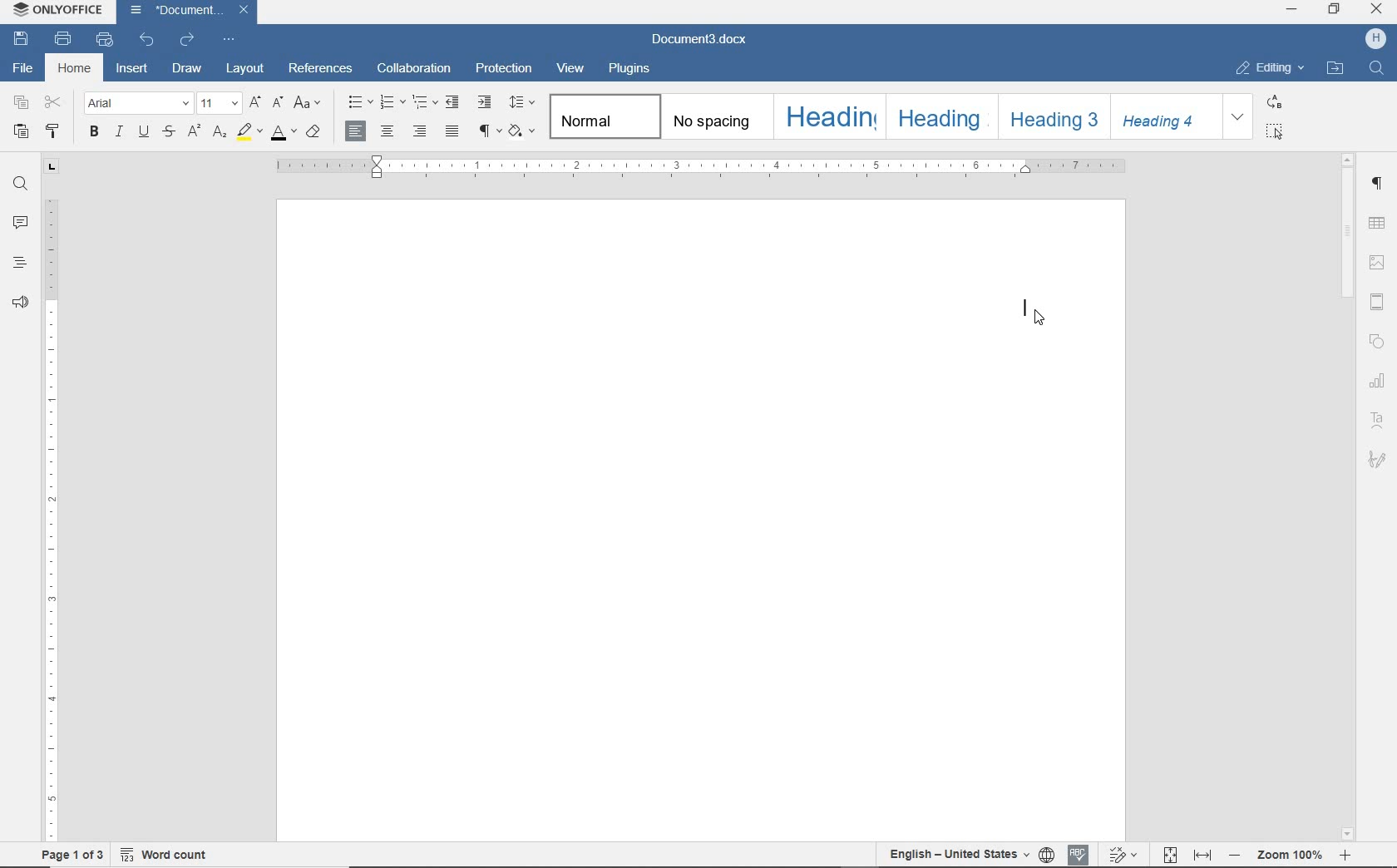 Image resolution: width=1397 pixels, height=868 pixels. I want to click on HEADING 4, so click(1167, 116).